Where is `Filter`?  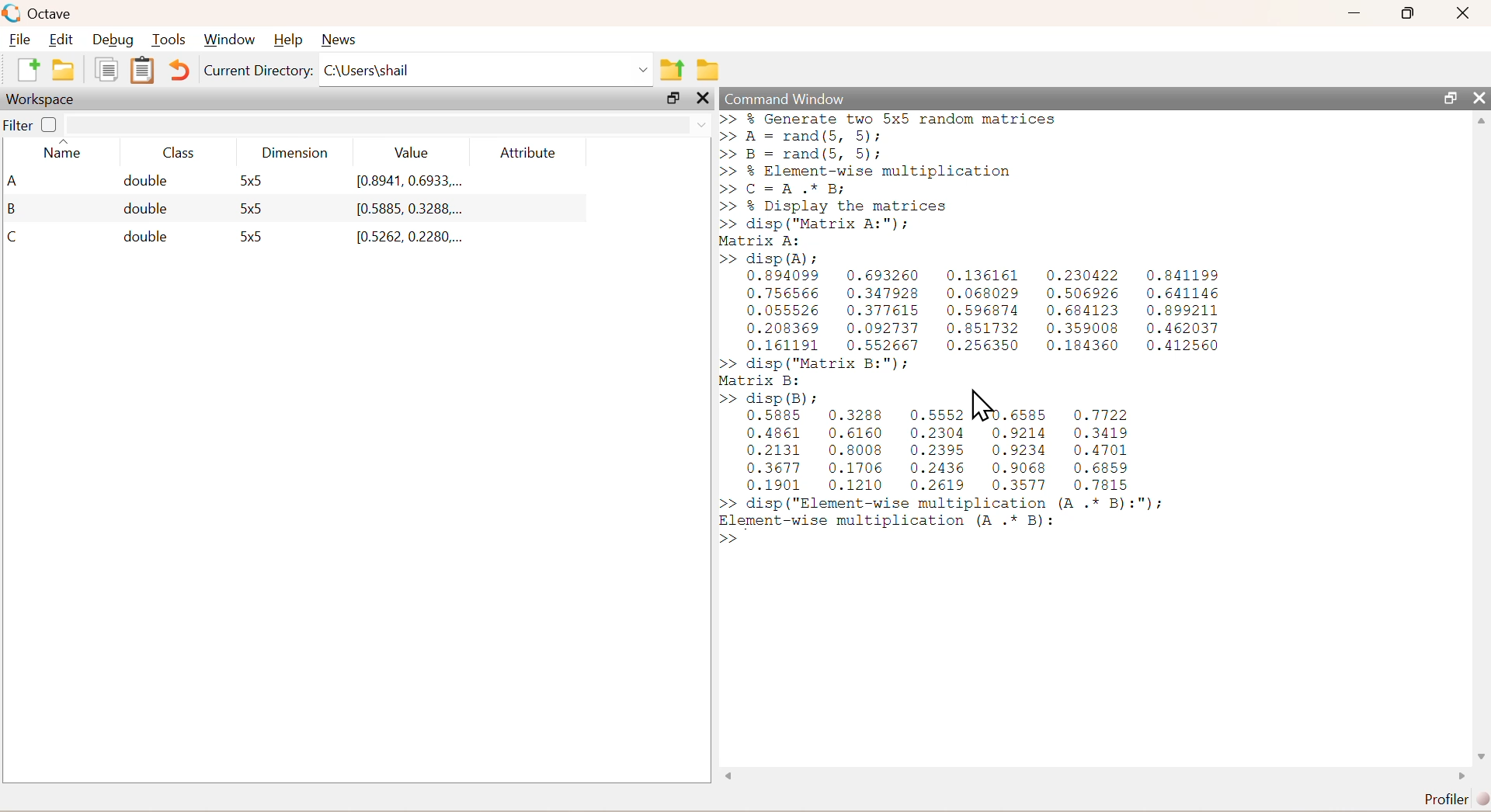 Filter is located at coordinates (36, 124).